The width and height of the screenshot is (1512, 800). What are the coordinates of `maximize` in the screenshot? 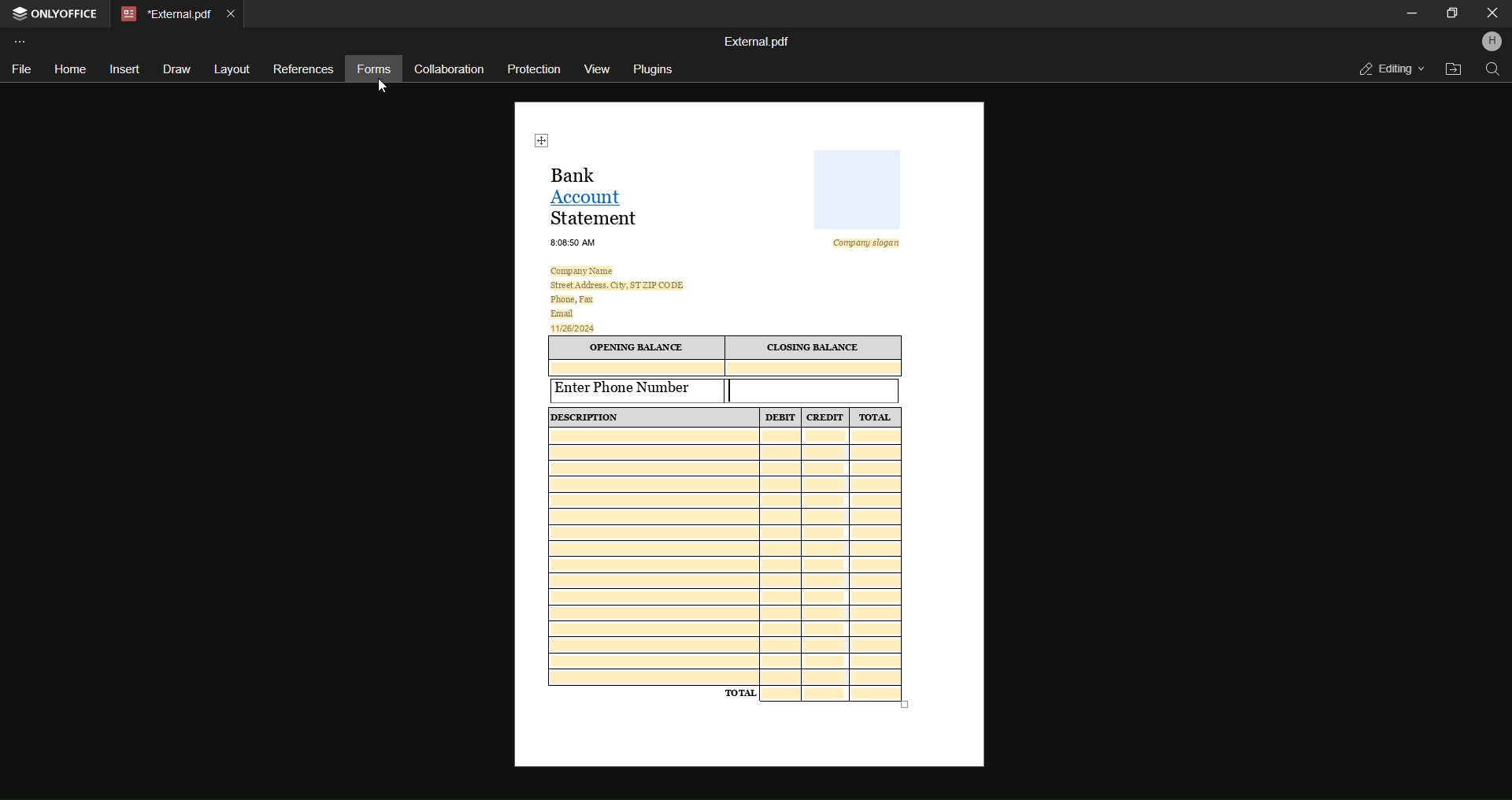 It's located at (1448, 15).